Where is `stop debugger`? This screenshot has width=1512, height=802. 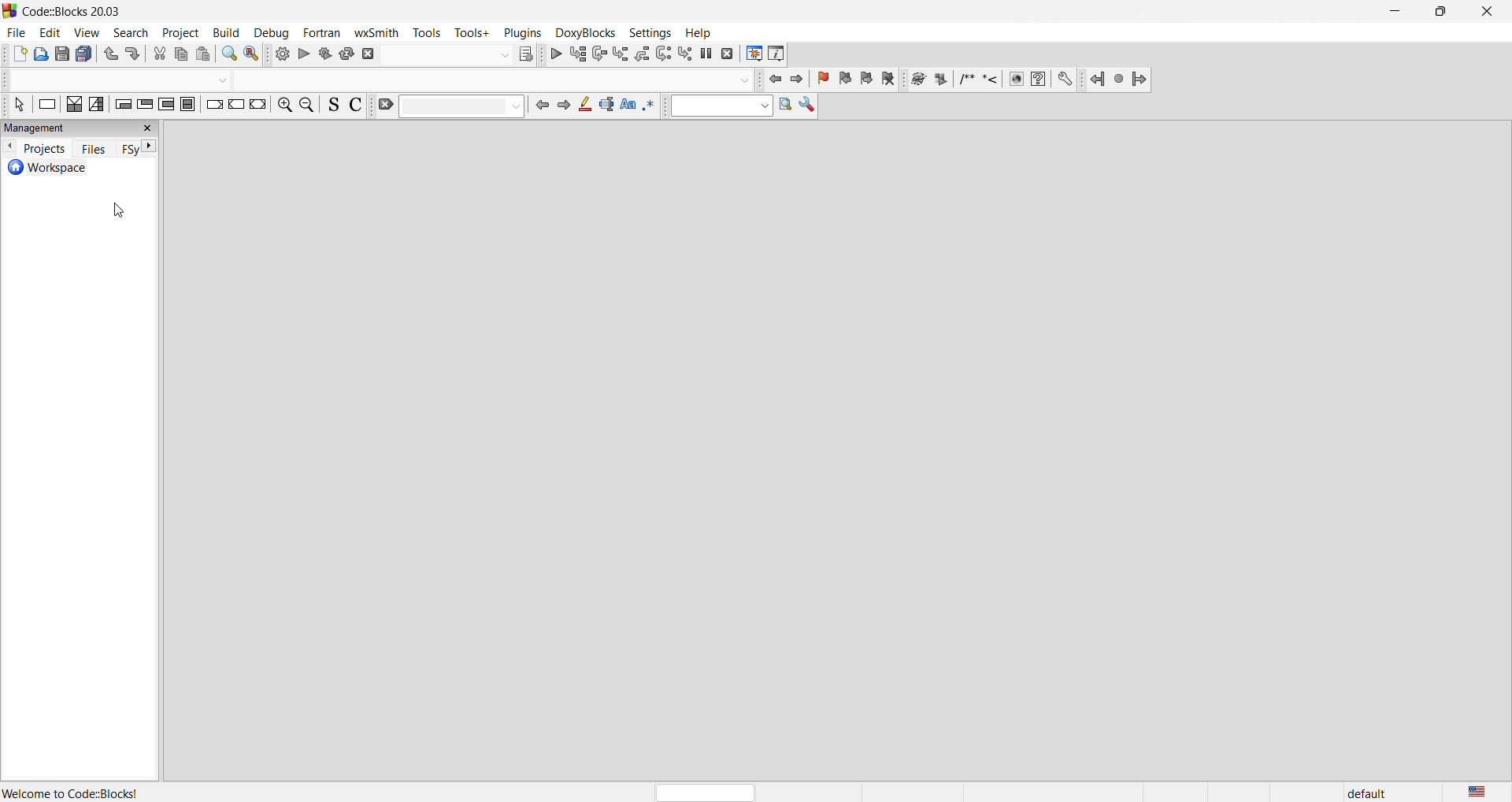
stop debugger is located at coordinates (728, 54).